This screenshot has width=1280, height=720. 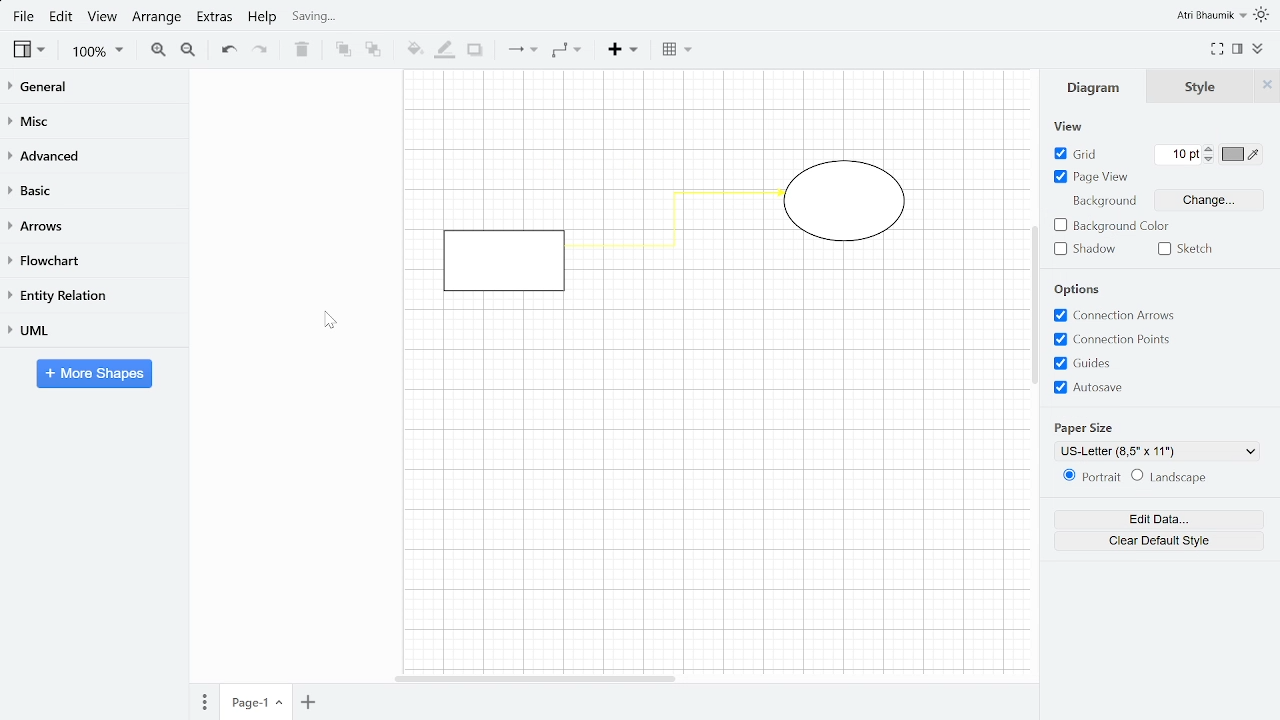 What do you see at coordinates (474, 50) in the screenshot?
I see `Shadow` at bounding box center [474, 50].